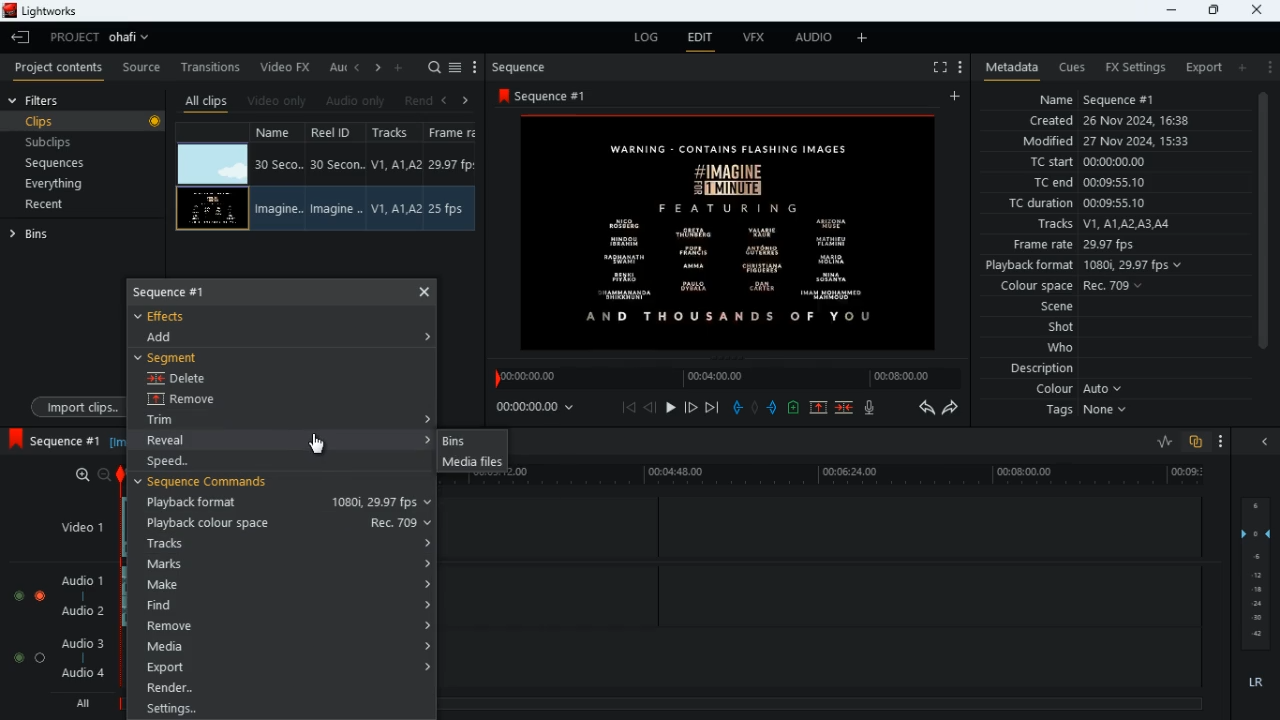 The height and width of the screenshot is (720, 1280). I want to click on audio only, so click(358, 101).